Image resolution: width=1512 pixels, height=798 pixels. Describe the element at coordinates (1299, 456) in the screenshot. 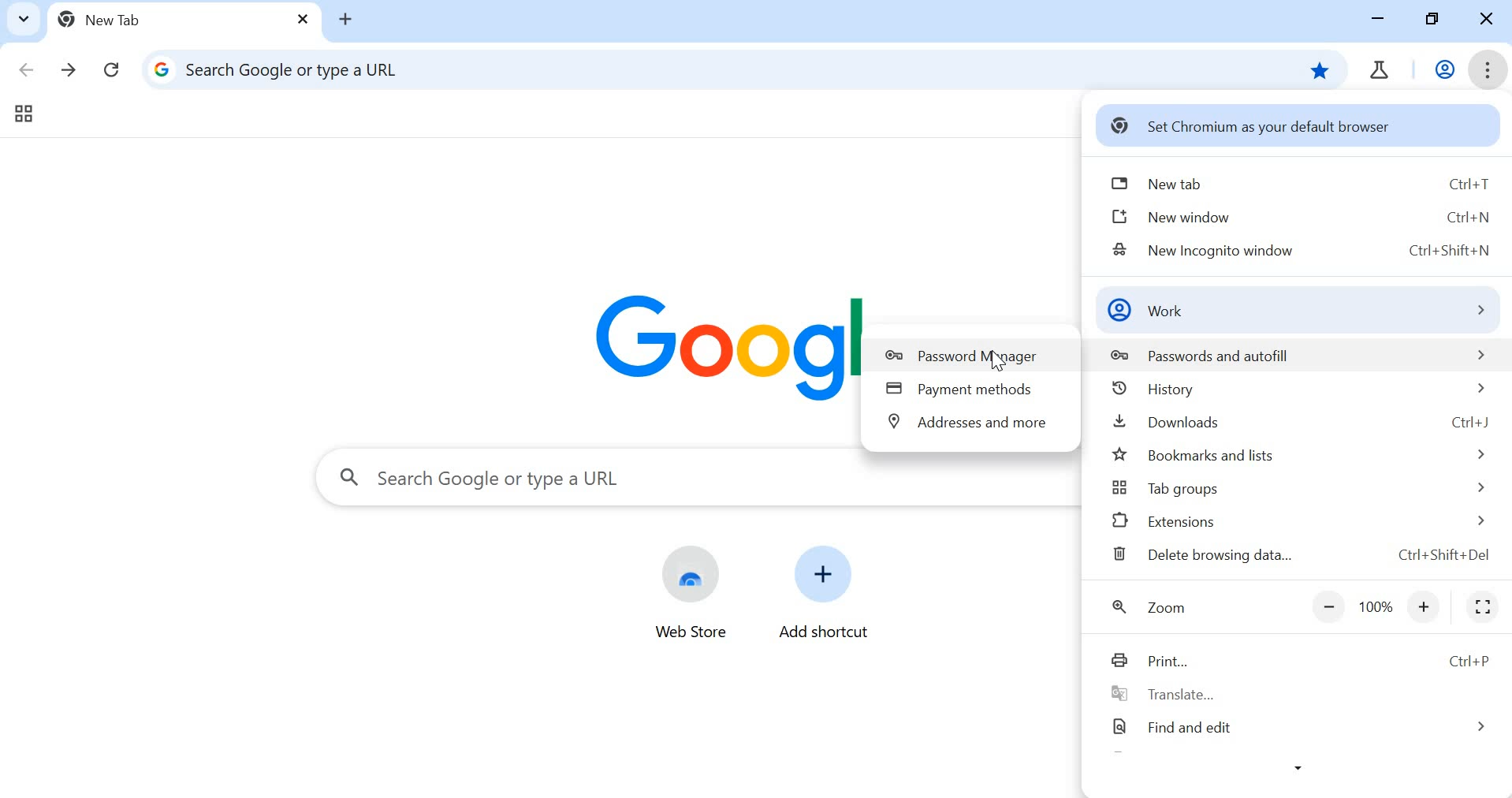

I see `bookmarks and lists` at that location.